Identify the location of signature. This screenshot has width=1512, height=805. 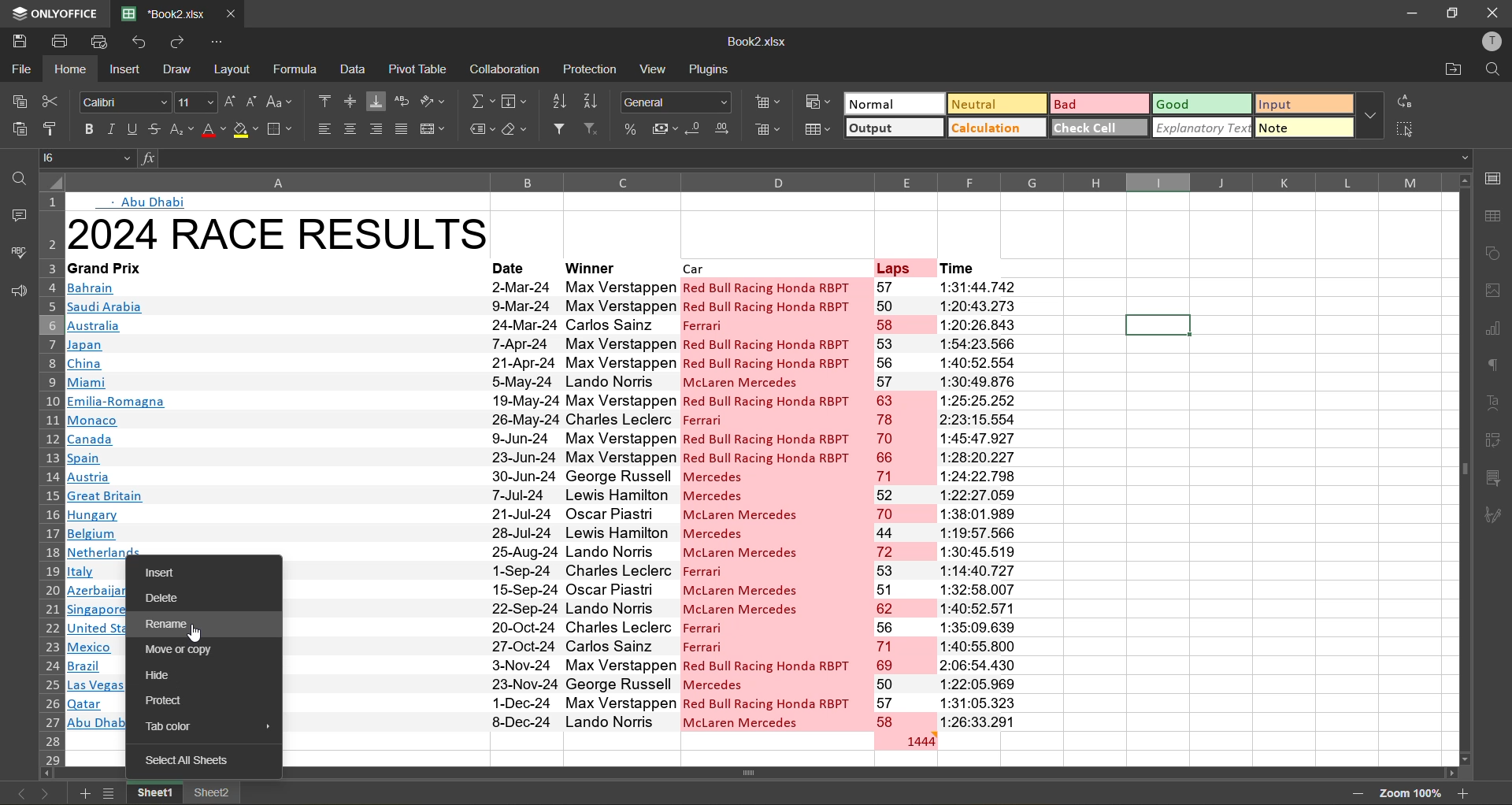
(1497, 516).